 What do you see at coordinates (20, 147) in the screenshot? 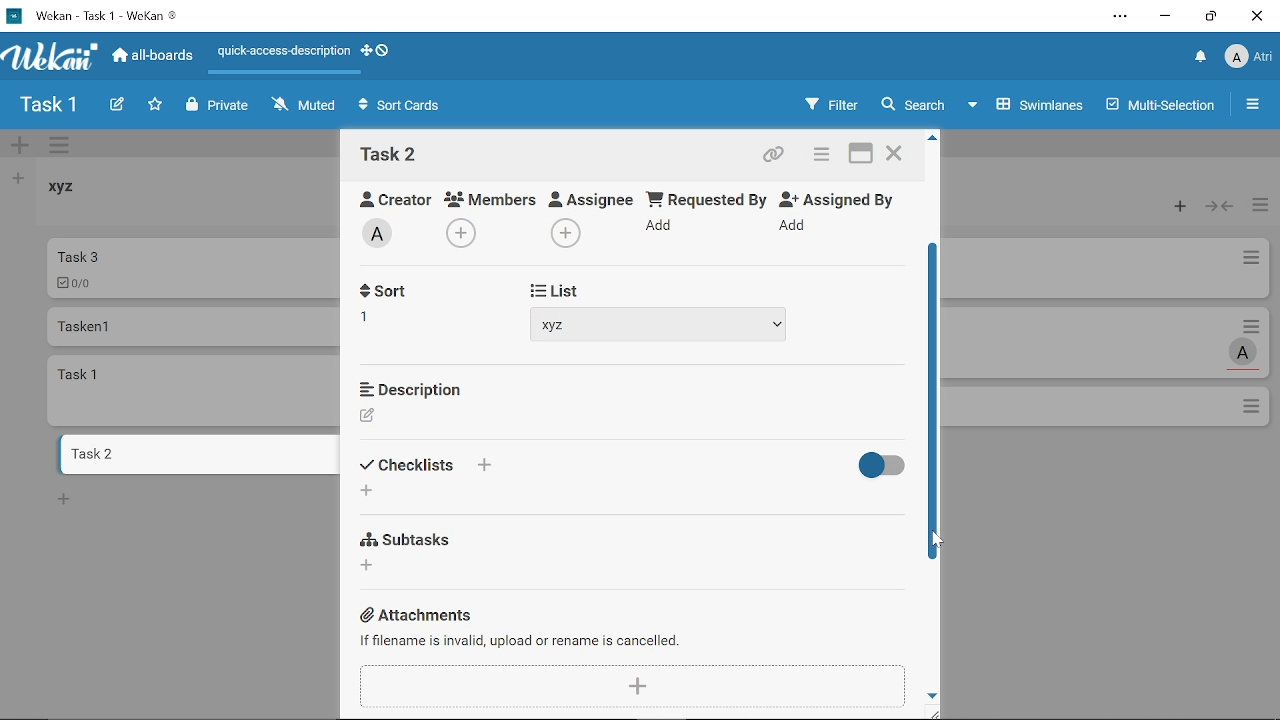
I see `Add swimlane` at bounding box center [20, 147].